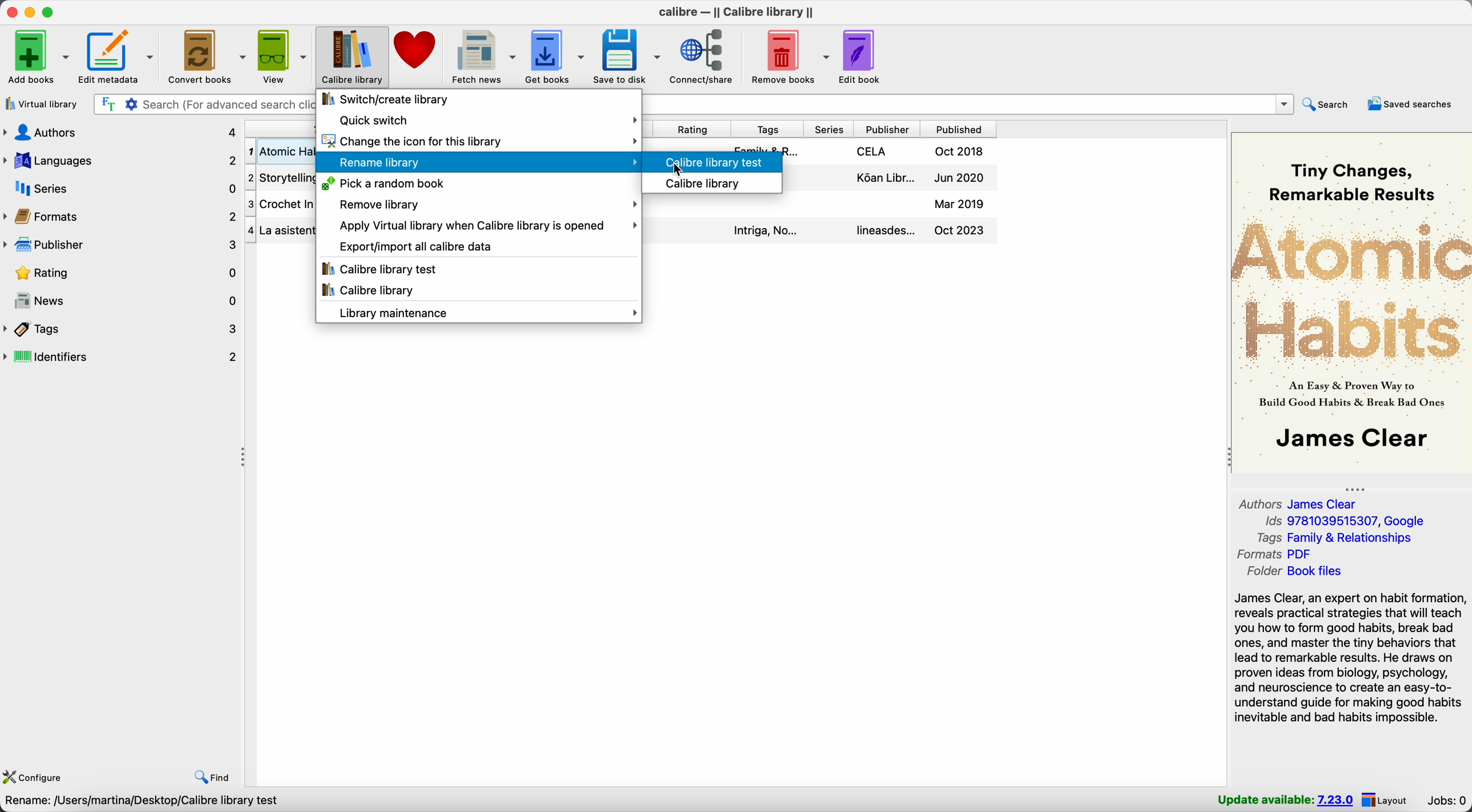  What do you see at coordinates (1298, 503) in the screenshot?
I see `authors James Clear` at bounding box center [1298, 503].